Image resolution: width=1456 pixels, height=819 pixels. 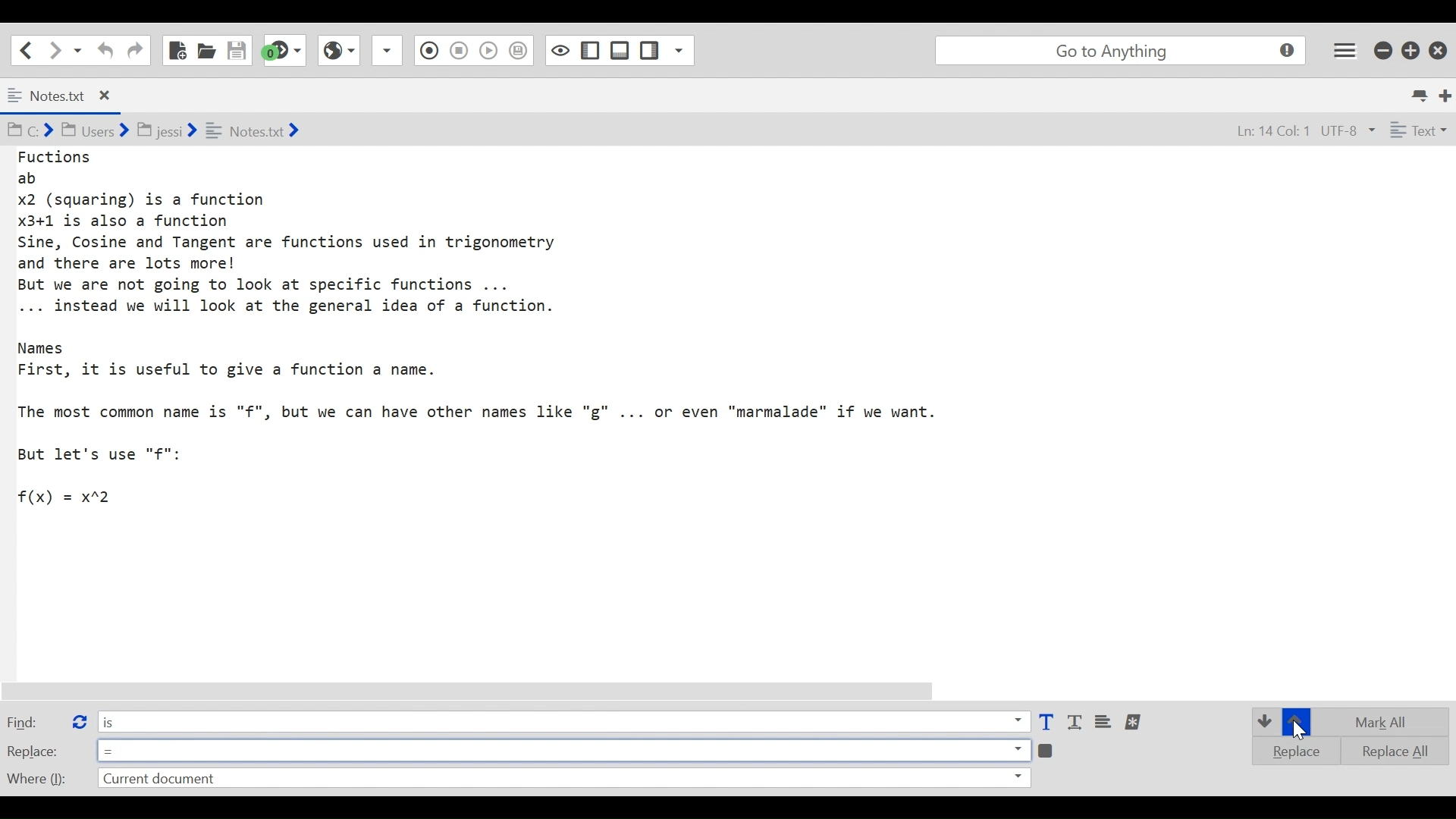 What do you see at coordinates (135, 51) in the screenshot?
I see `` at bounding box center [135, 51].